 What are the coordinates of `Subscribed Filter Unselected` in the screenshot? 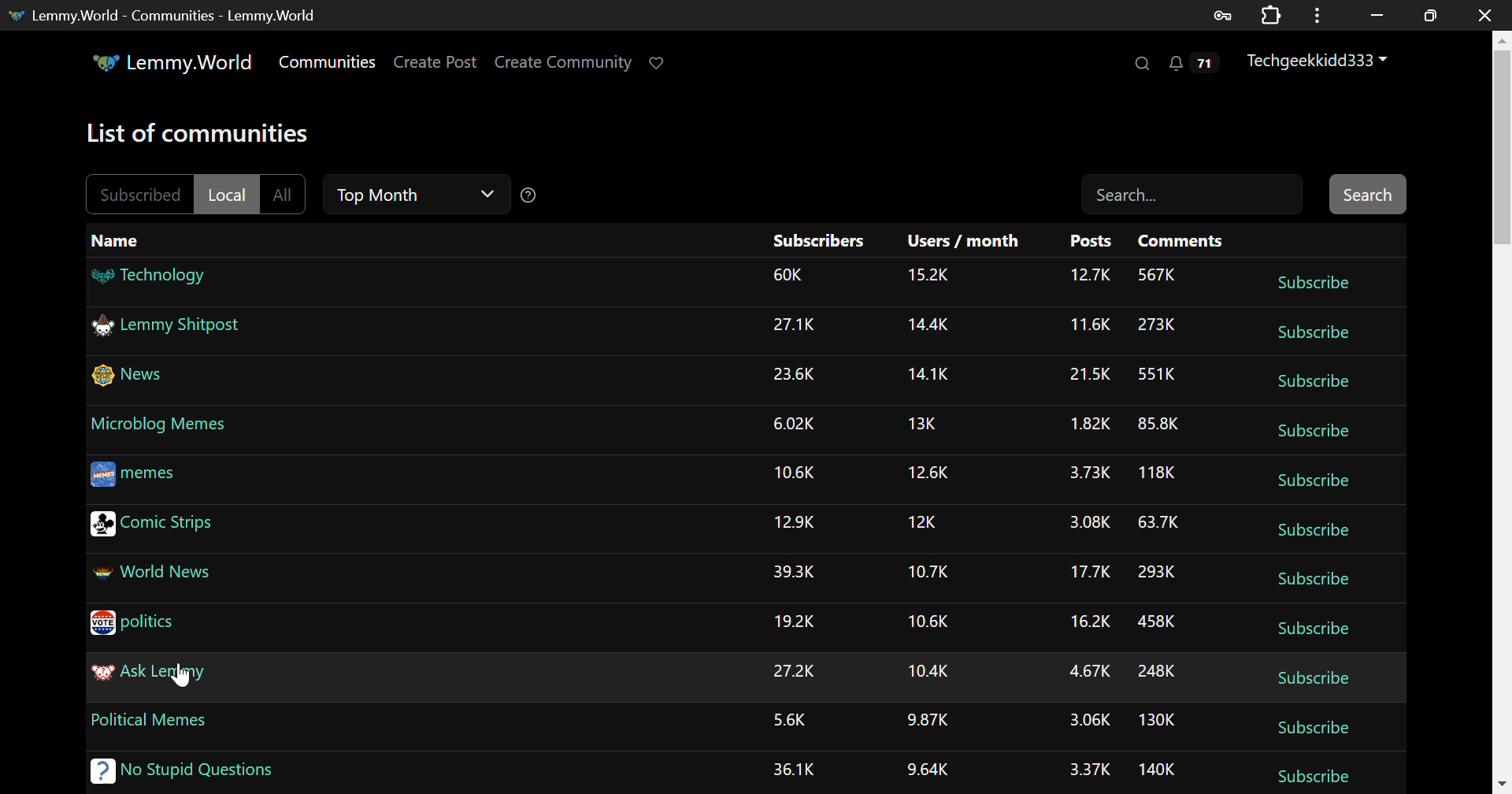 It's located at (136, 195).